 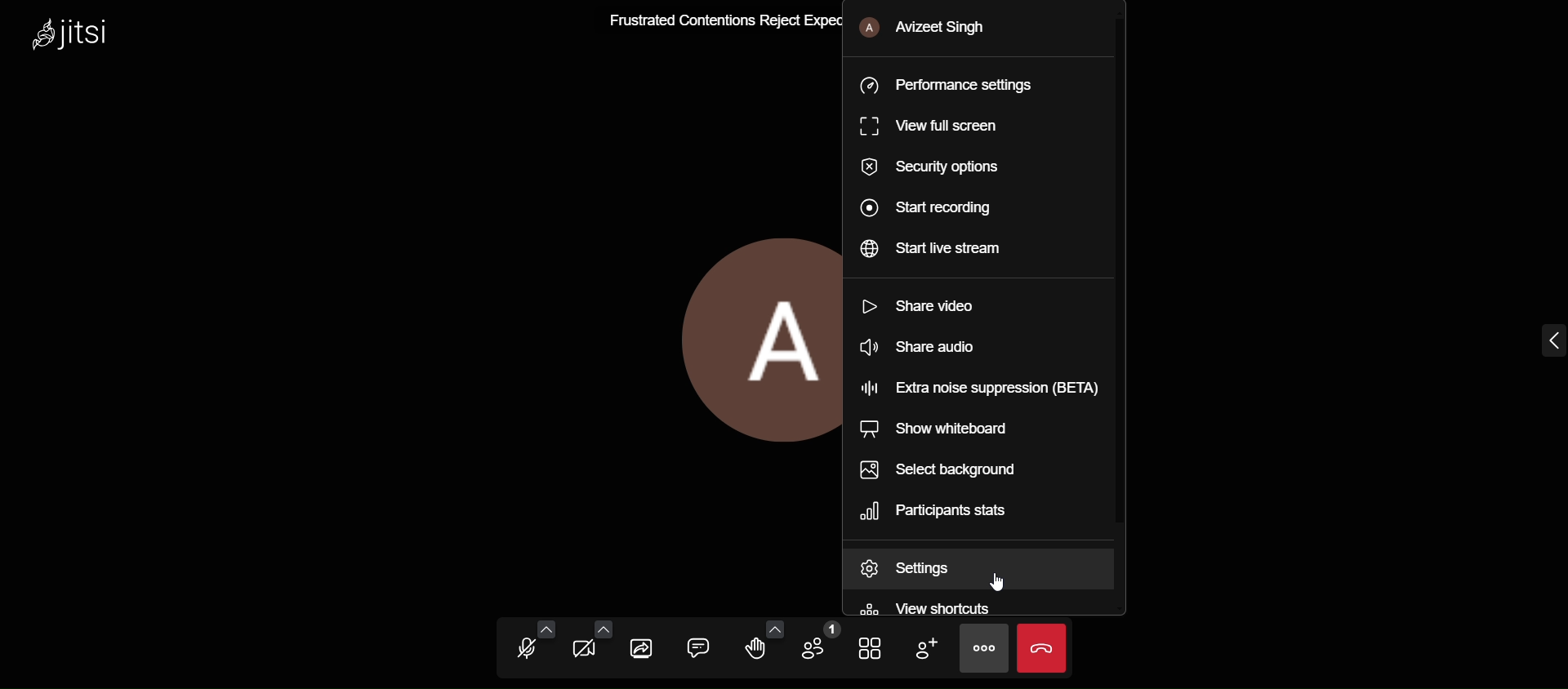 I want to click on add more reactions, so click(x=770, y=620).